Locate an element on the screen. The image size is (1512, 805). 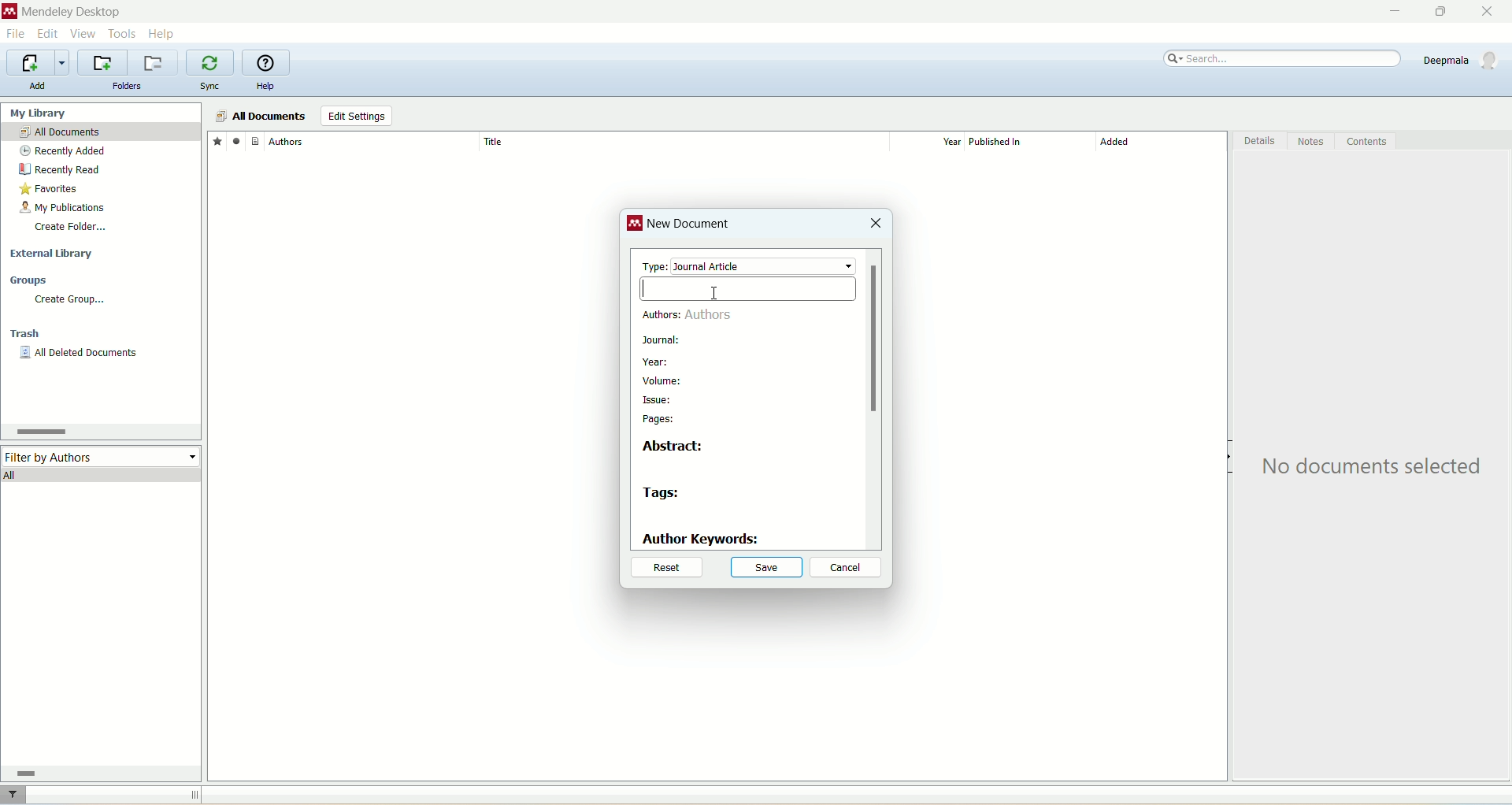
help is located at coordinates (163, 33).